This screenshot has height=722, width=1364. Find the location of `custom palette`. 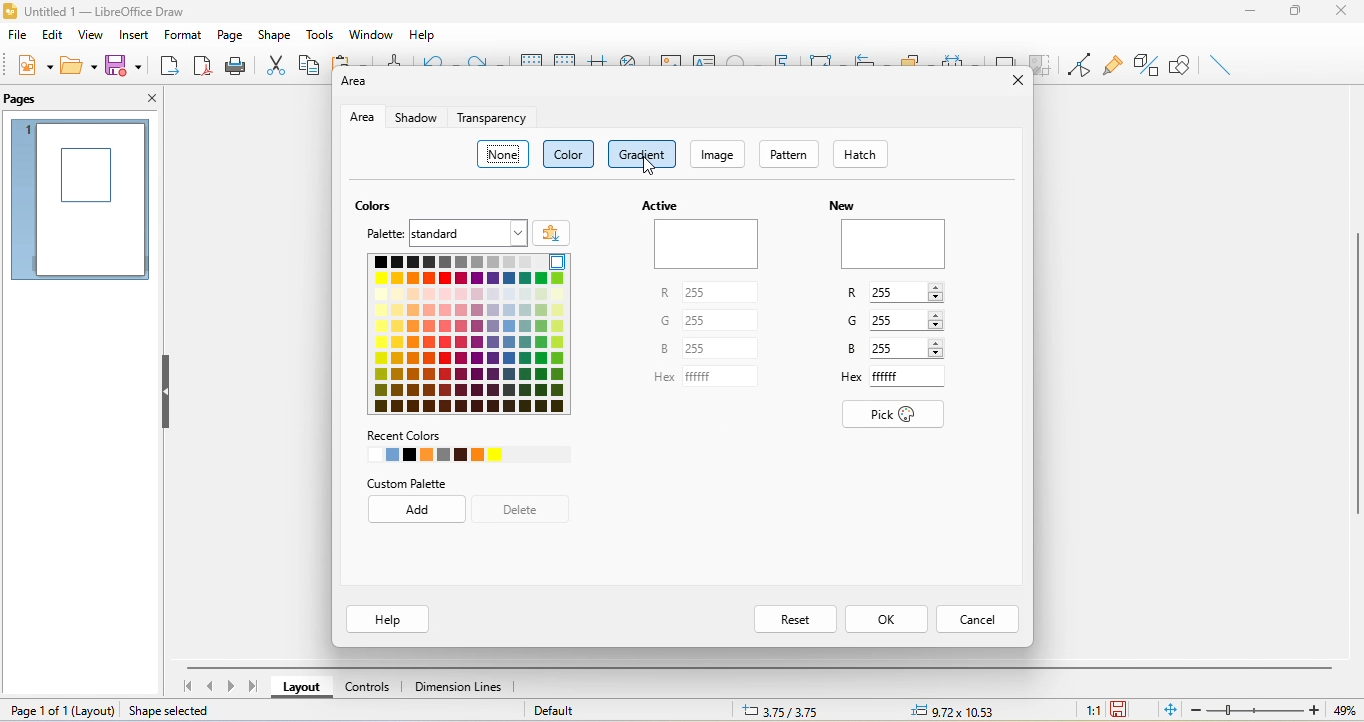

custom palette is located at coordinates (421, 484).